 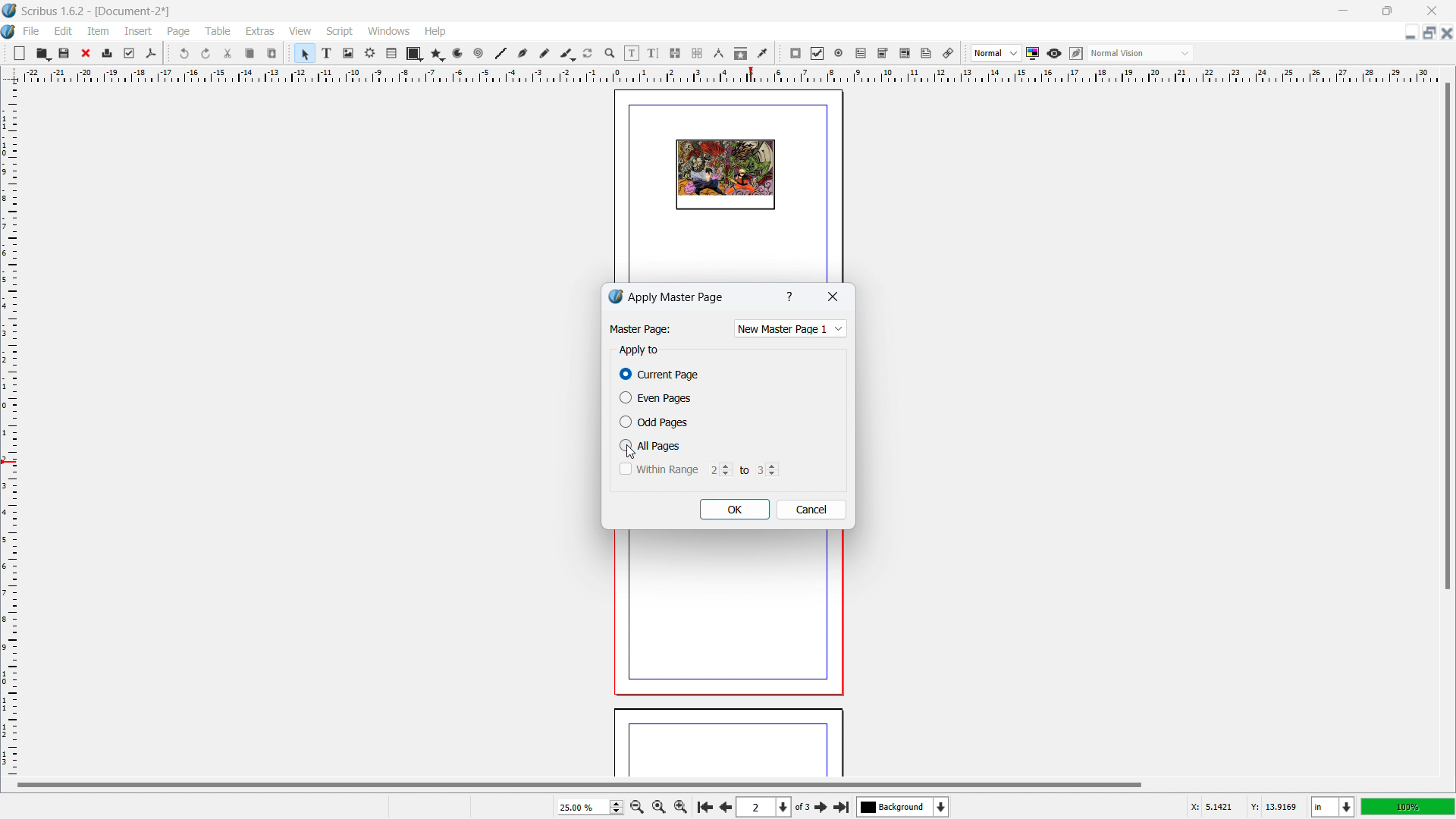 What do you see at coordinates (438, 54) in the screenshot?
I see `polygon` at bounding box center [438, 54].